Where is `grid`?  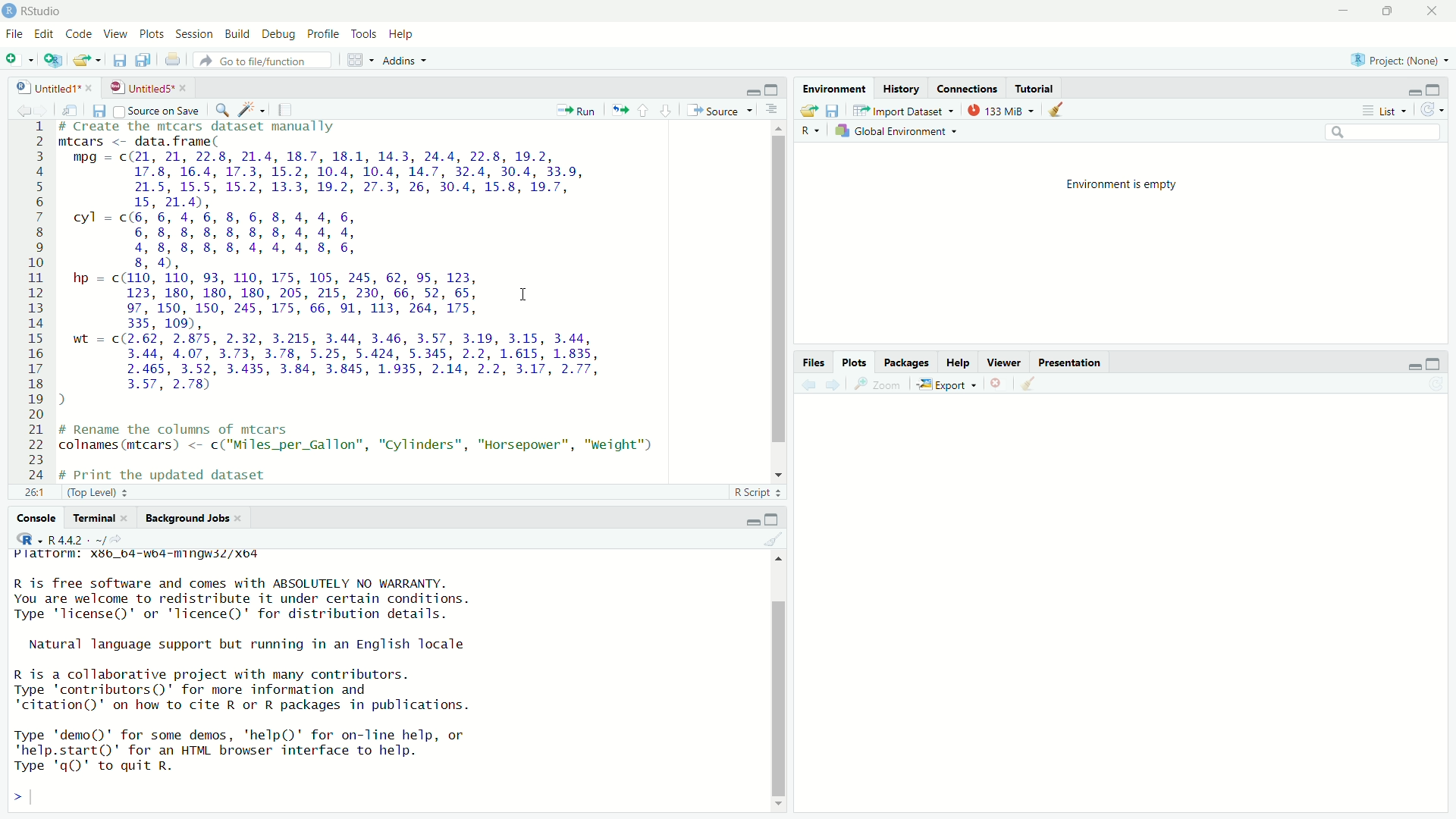
grid is located at coordinates (361, 60).